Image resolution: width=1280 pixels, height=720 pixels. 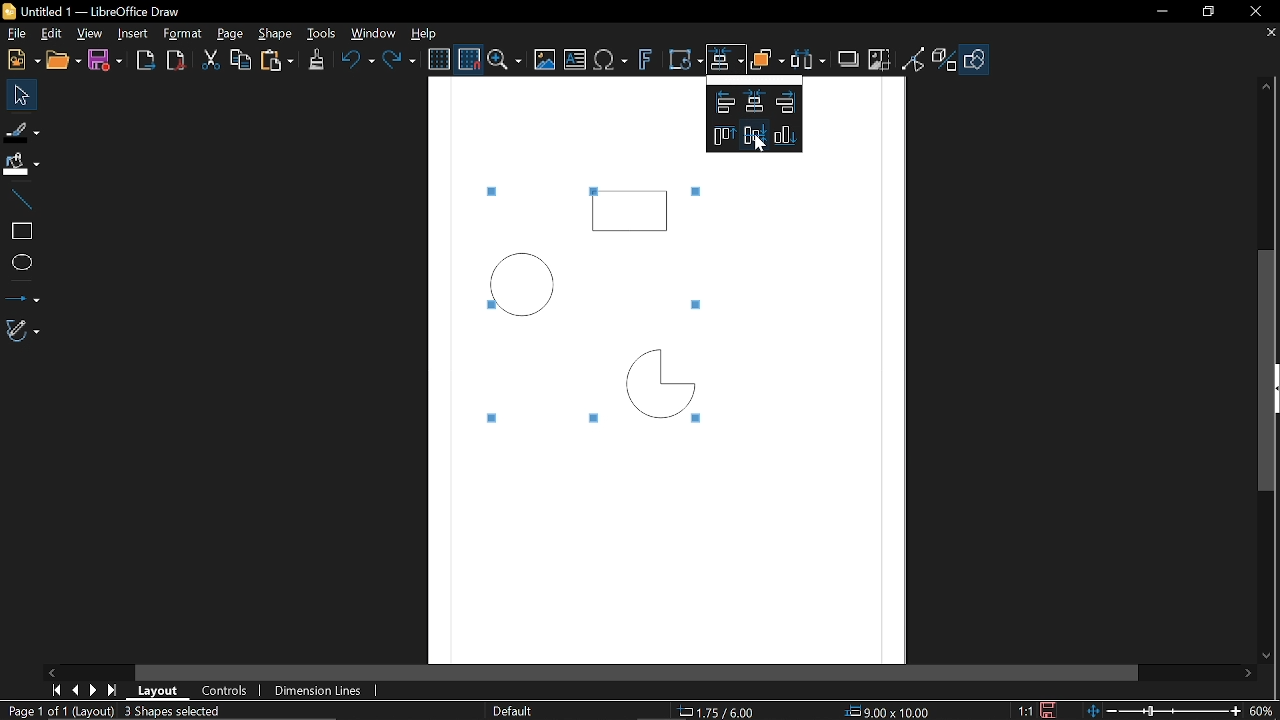 What do you see at coordinates (1161, 11) in the screenshot?
I see `Minimize` at bounding box center [1161, 11].